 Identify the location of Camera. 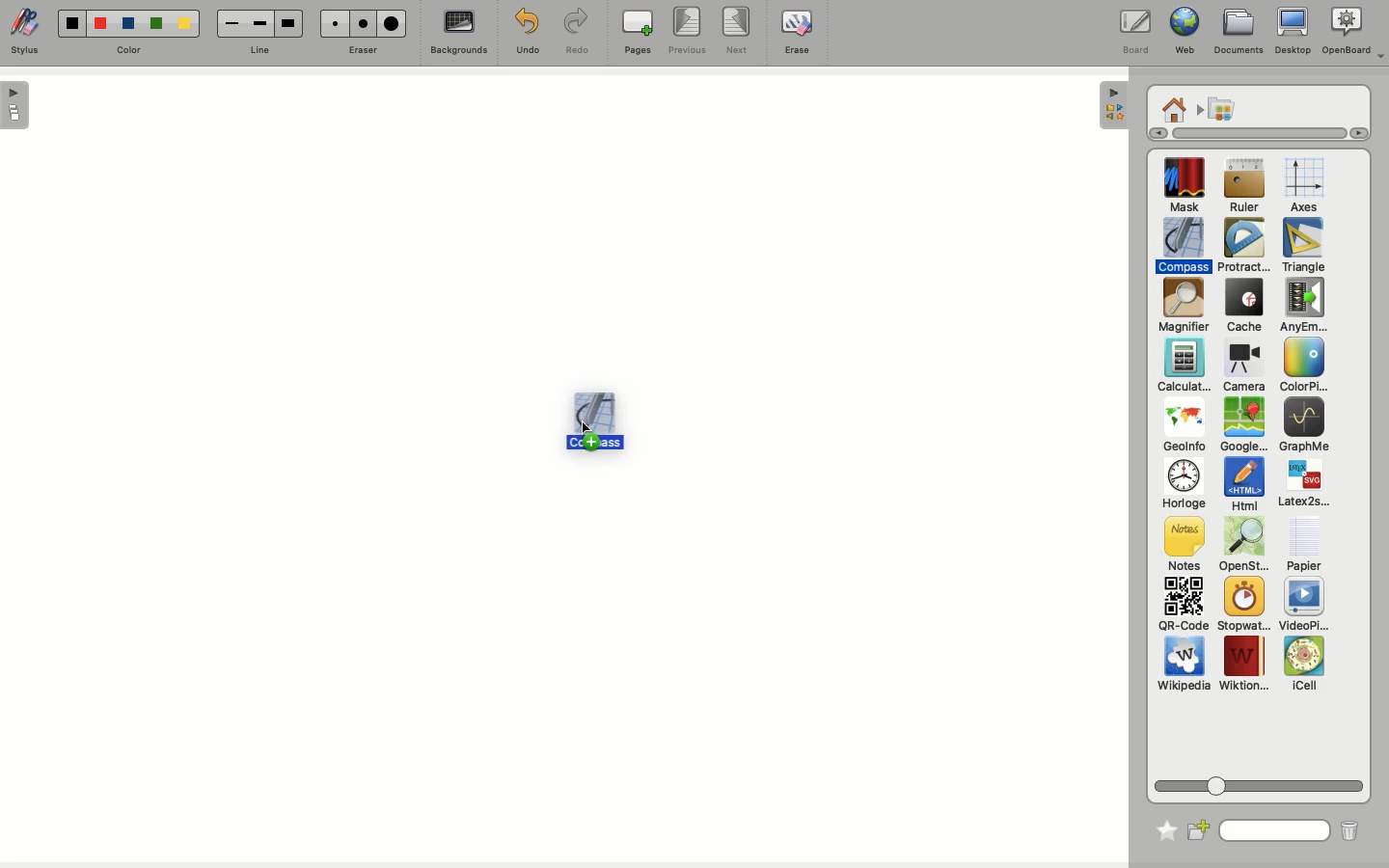
(1242, 366).